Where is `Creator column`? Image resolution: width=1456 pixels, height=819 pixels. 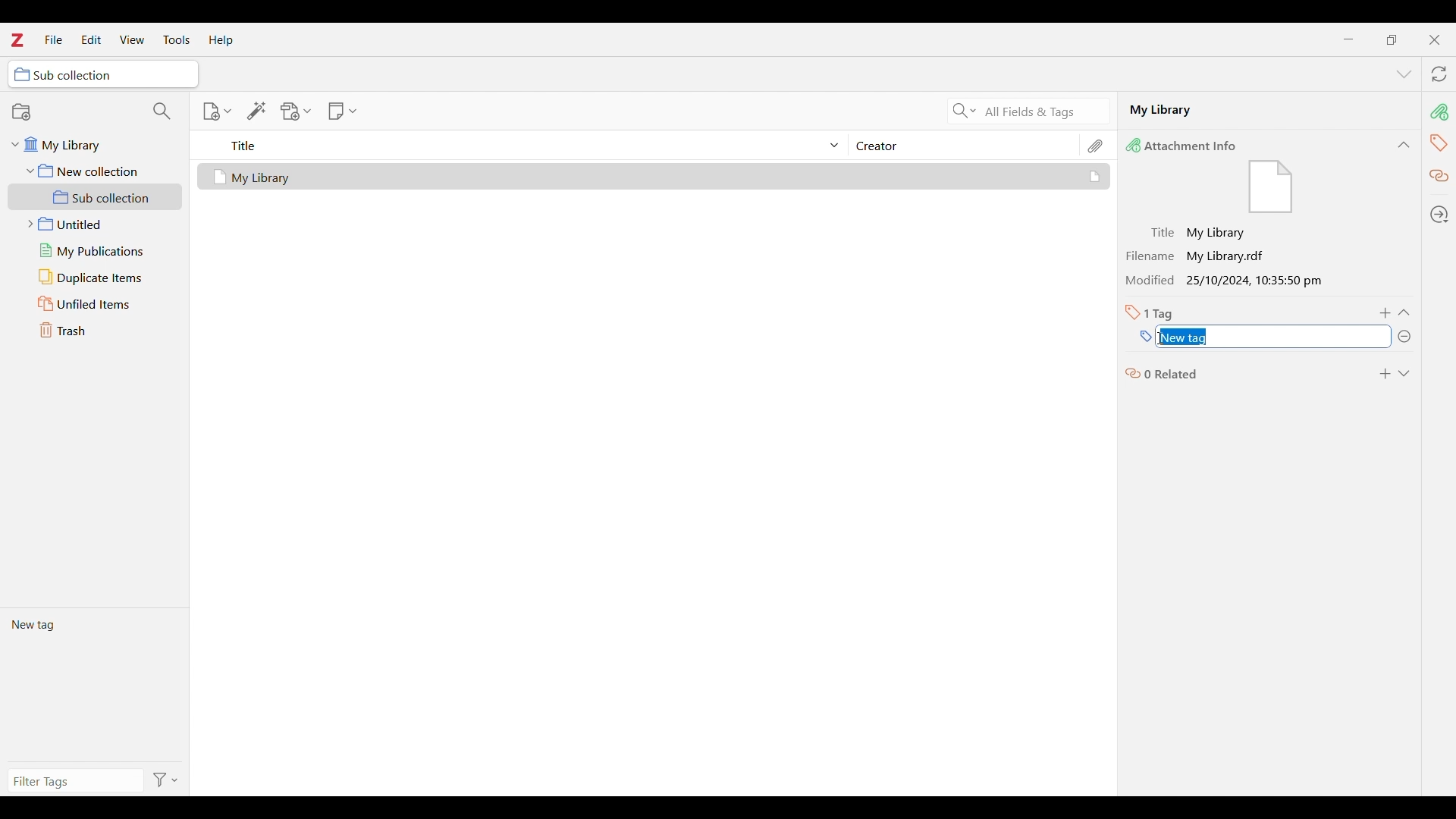 Creator column is located at coordinates (963, 145).